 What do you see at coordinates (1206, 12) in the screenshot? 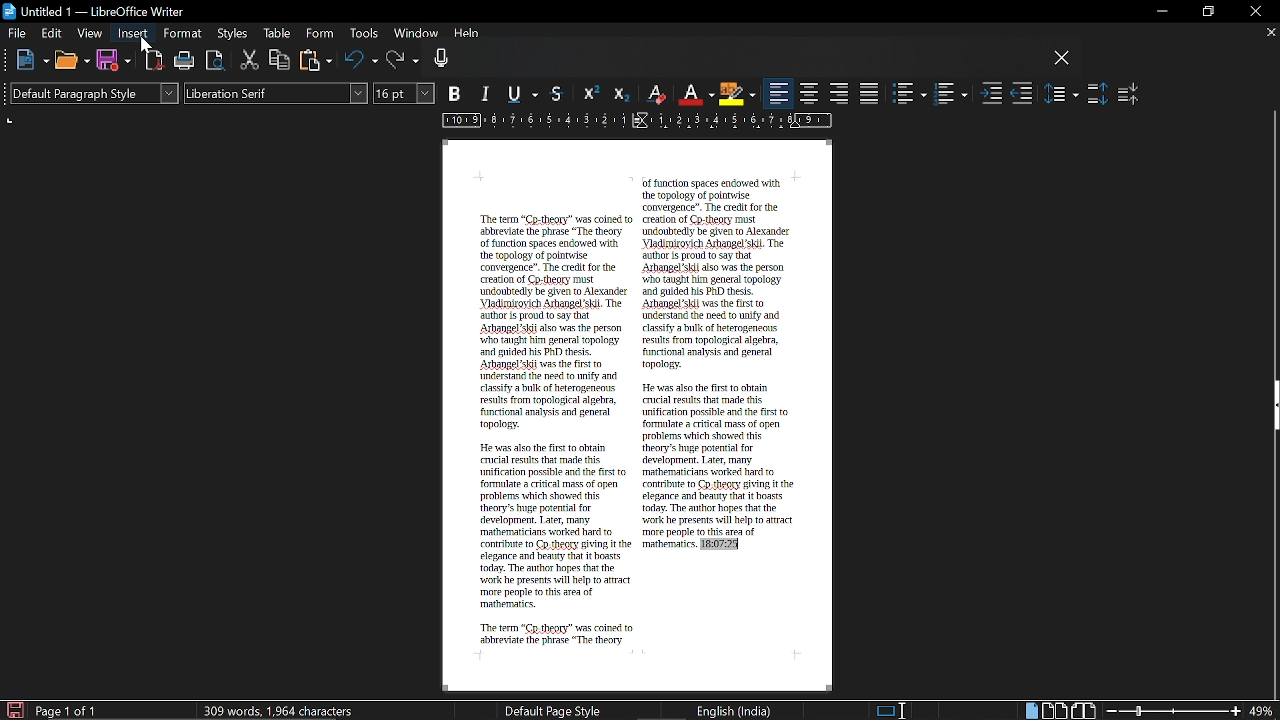
I see `Restore down` at bounding box center [1206, 12].